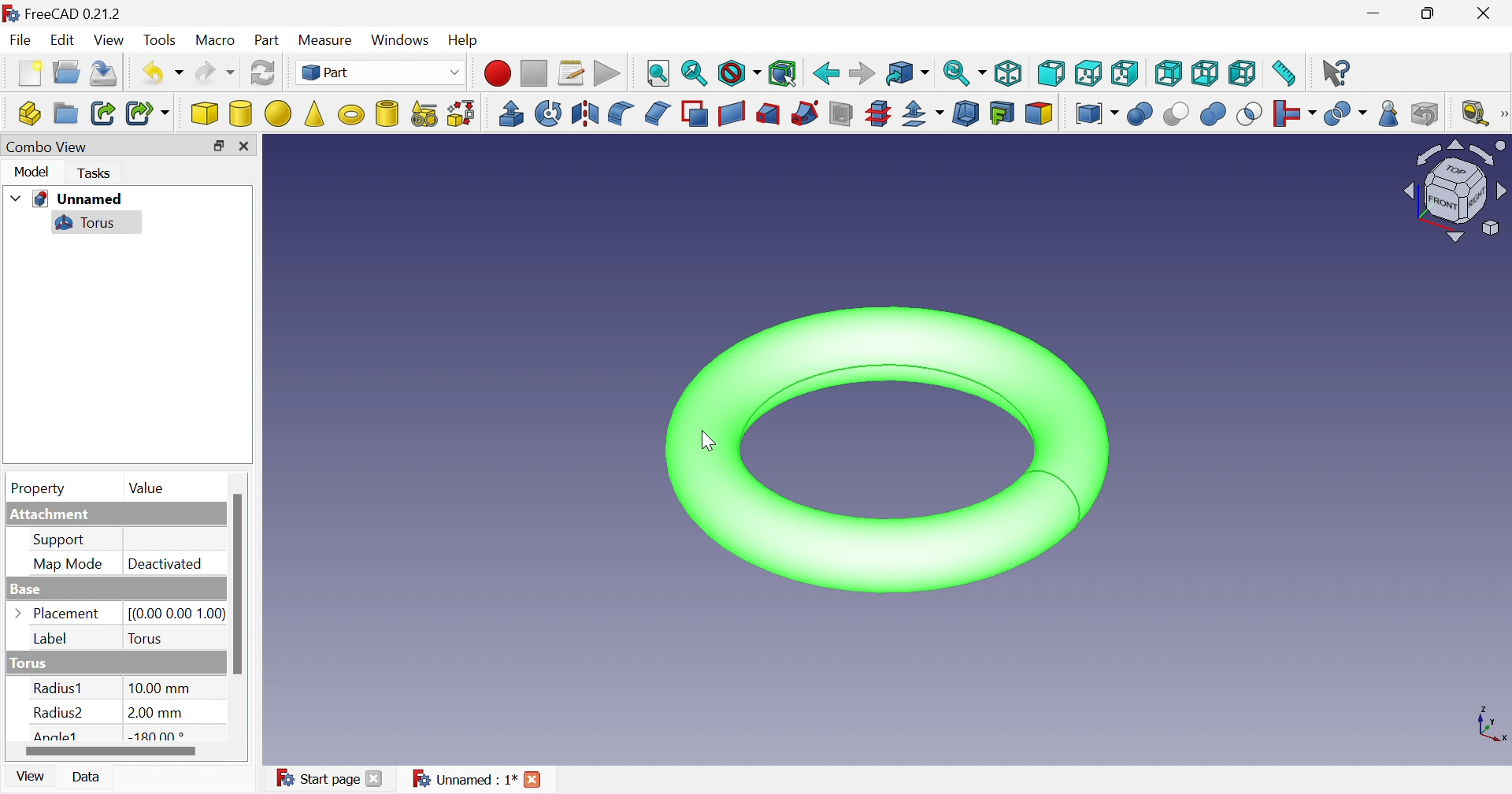 This screenshot has height=794, width=1512. What do you see at coordinates (732, 113) in the screenshot?
I see `Create ruled surface` at bounding box center [732, 113].